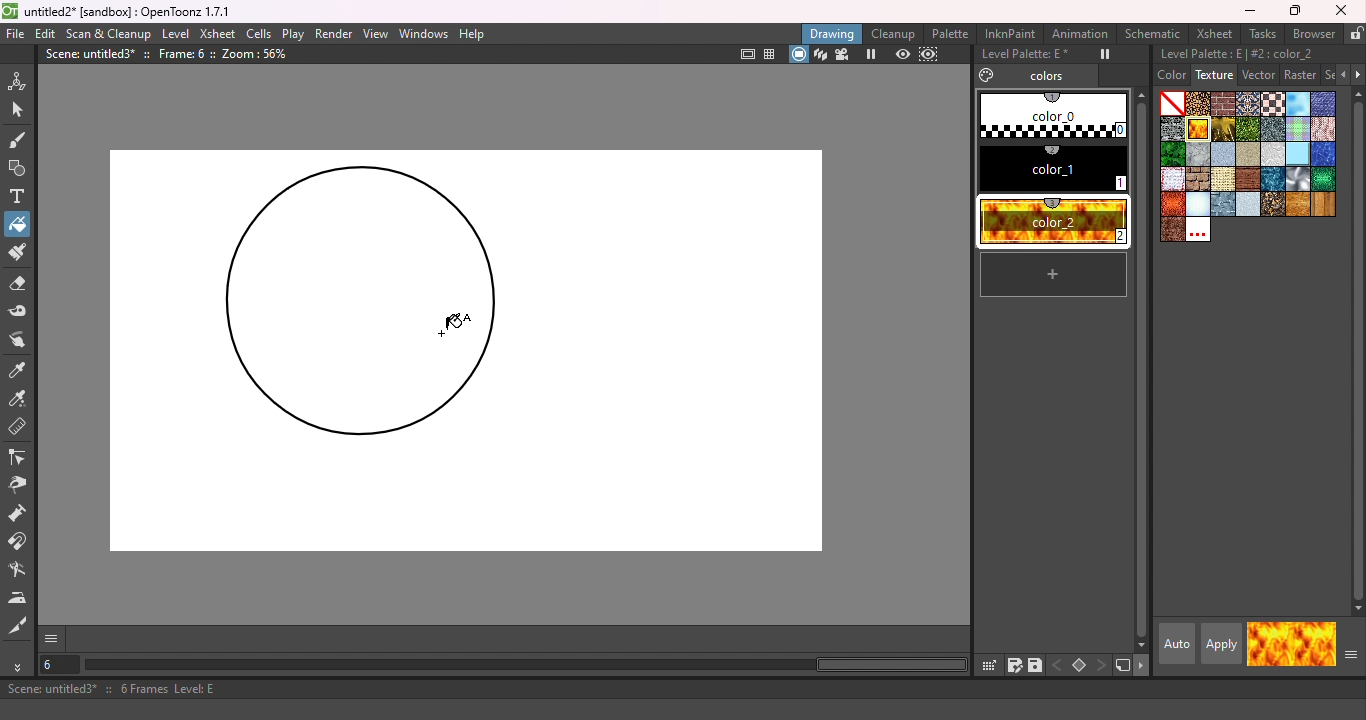 This screenshot has width=1366, height=720. I want to click on Render, so click(336, 34).